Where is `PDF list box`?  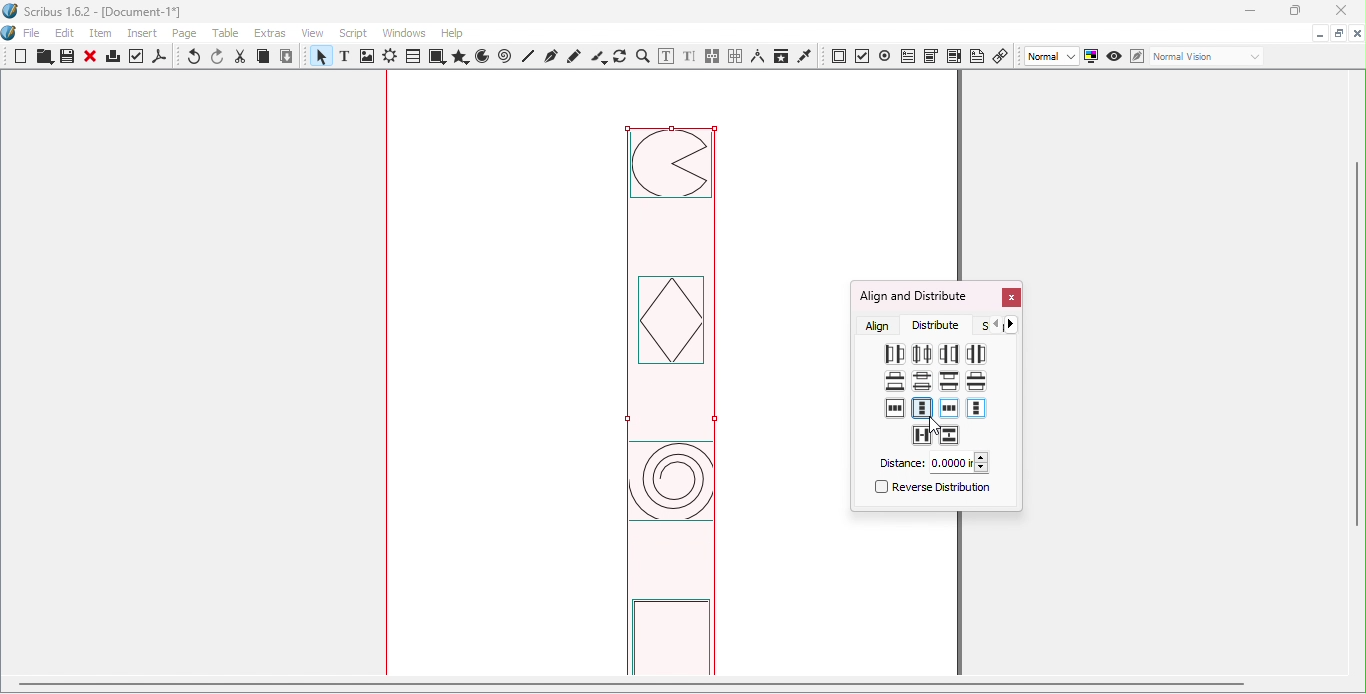 PDF list box is located at coordinates (954, 56).